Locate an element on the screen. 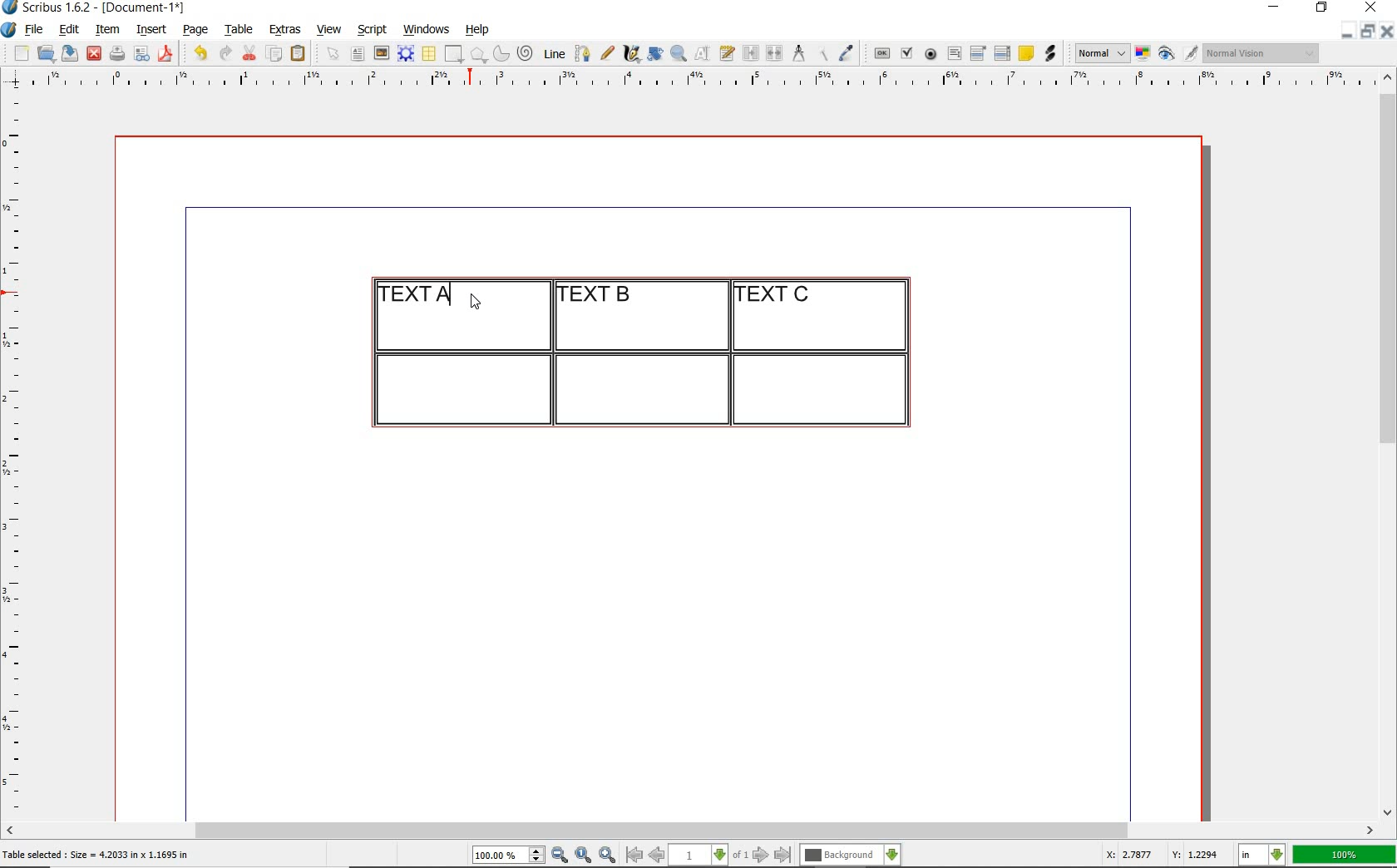 The width and height of the screenshot is (1397, 868). page is located at coordinates (195, 29).